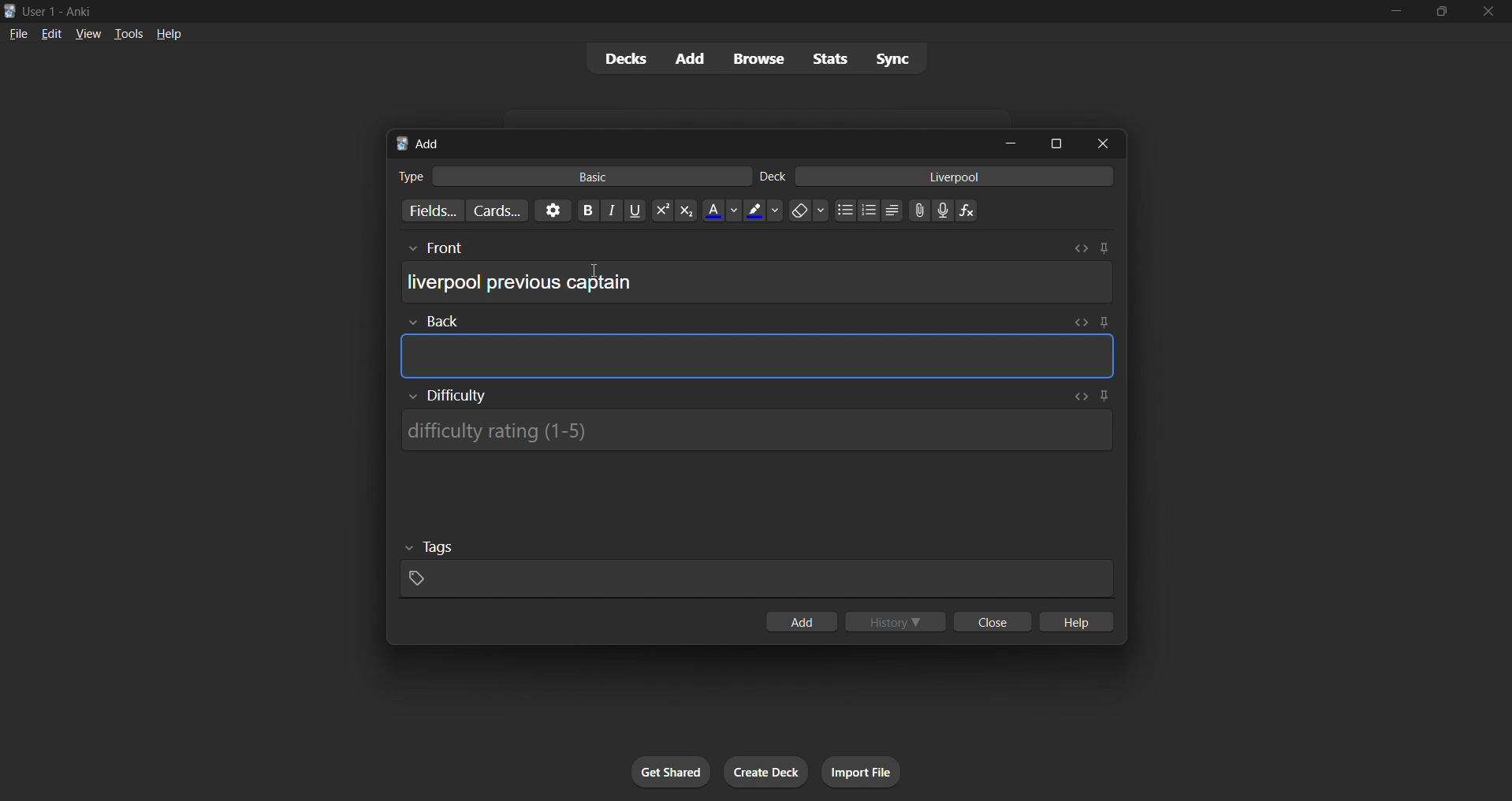 The height and width of the screenshot is (801, 1512). I want to click on superscript, so click(661, 211).